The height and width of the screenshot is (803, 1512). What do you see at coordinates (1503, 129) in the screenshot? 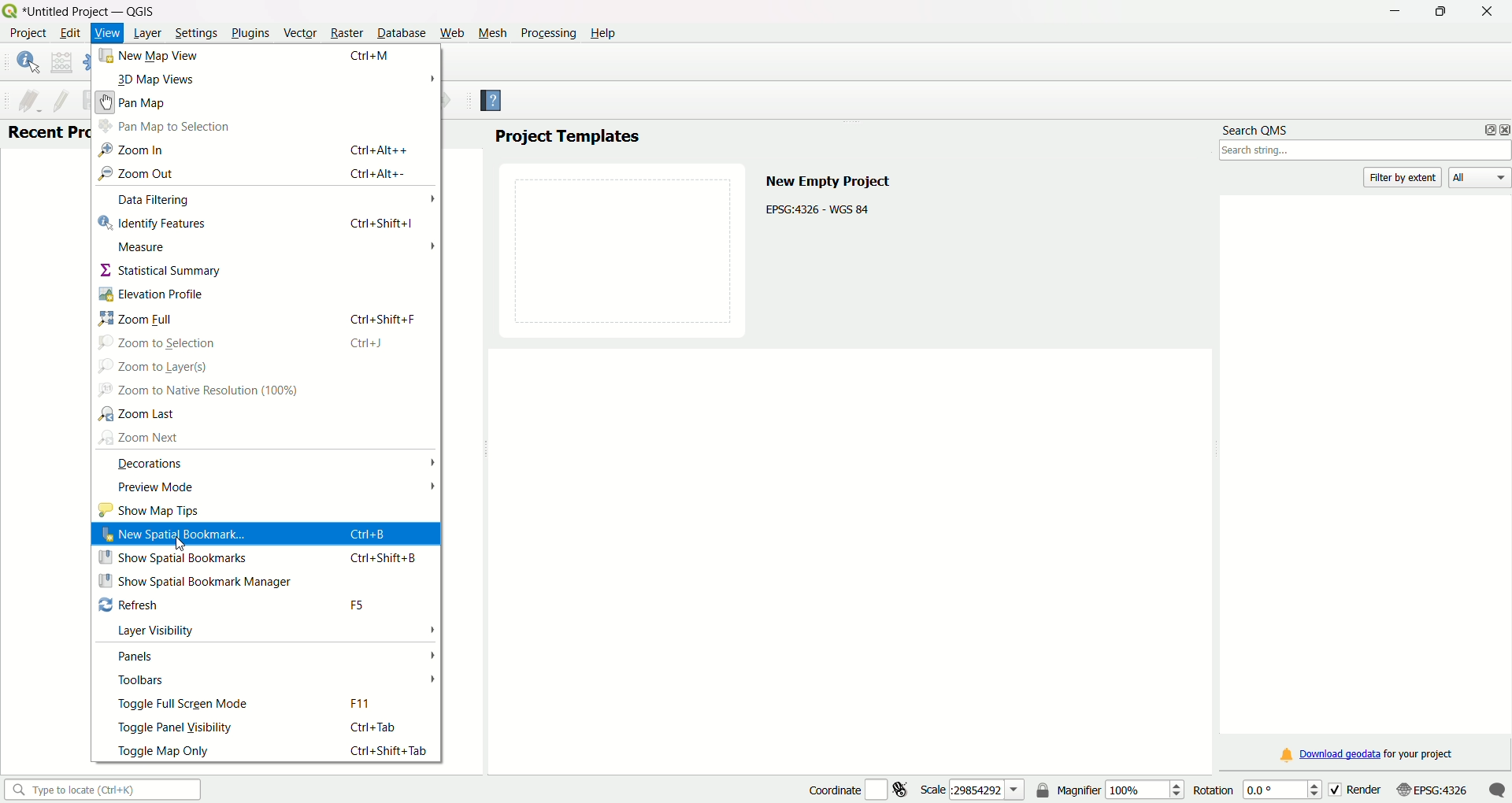
I see `close` at bounding box center [1503, 129].